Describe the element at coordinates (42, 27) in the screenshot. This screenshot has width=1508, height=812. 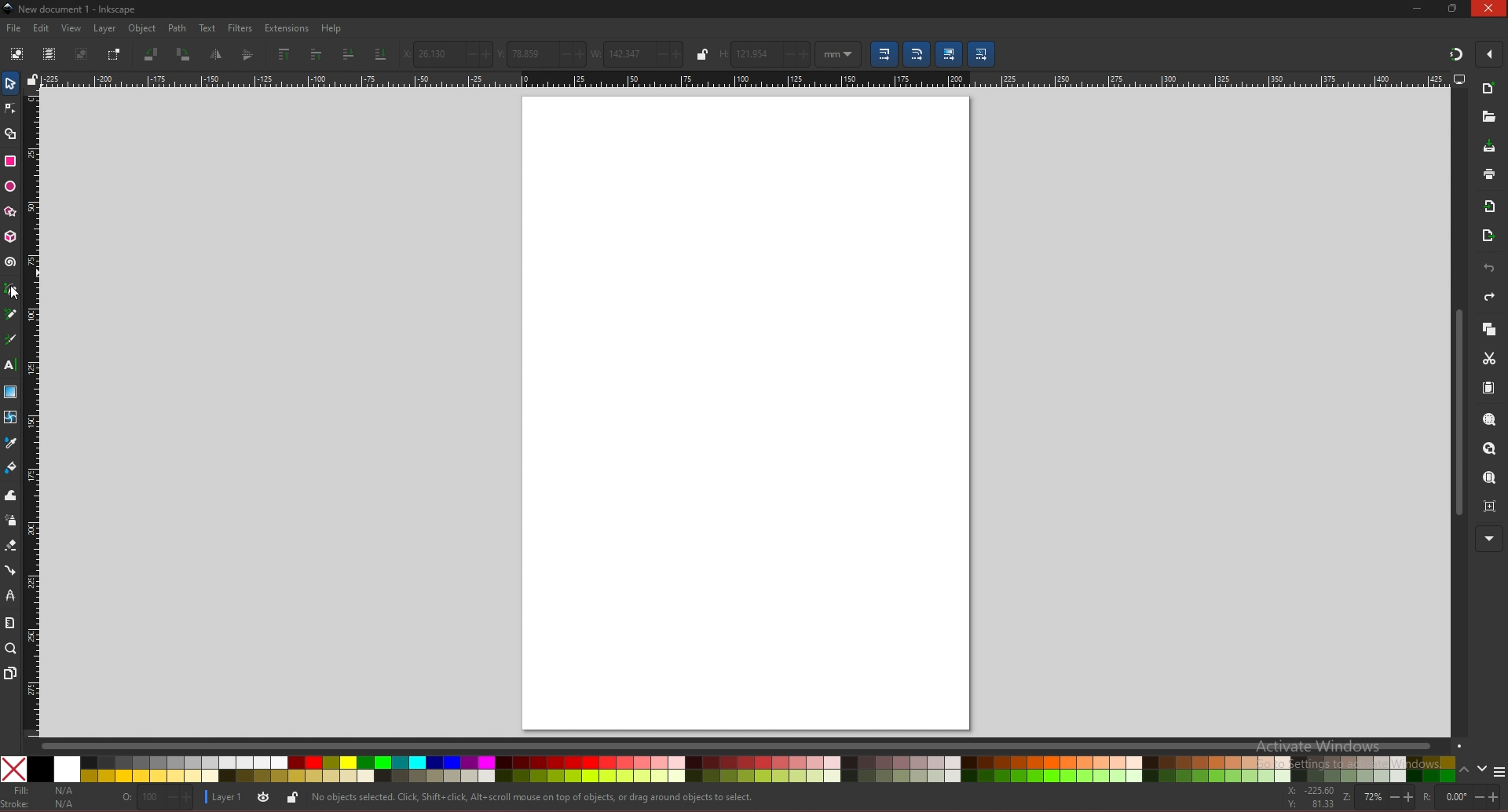
I see `edit` at that location.